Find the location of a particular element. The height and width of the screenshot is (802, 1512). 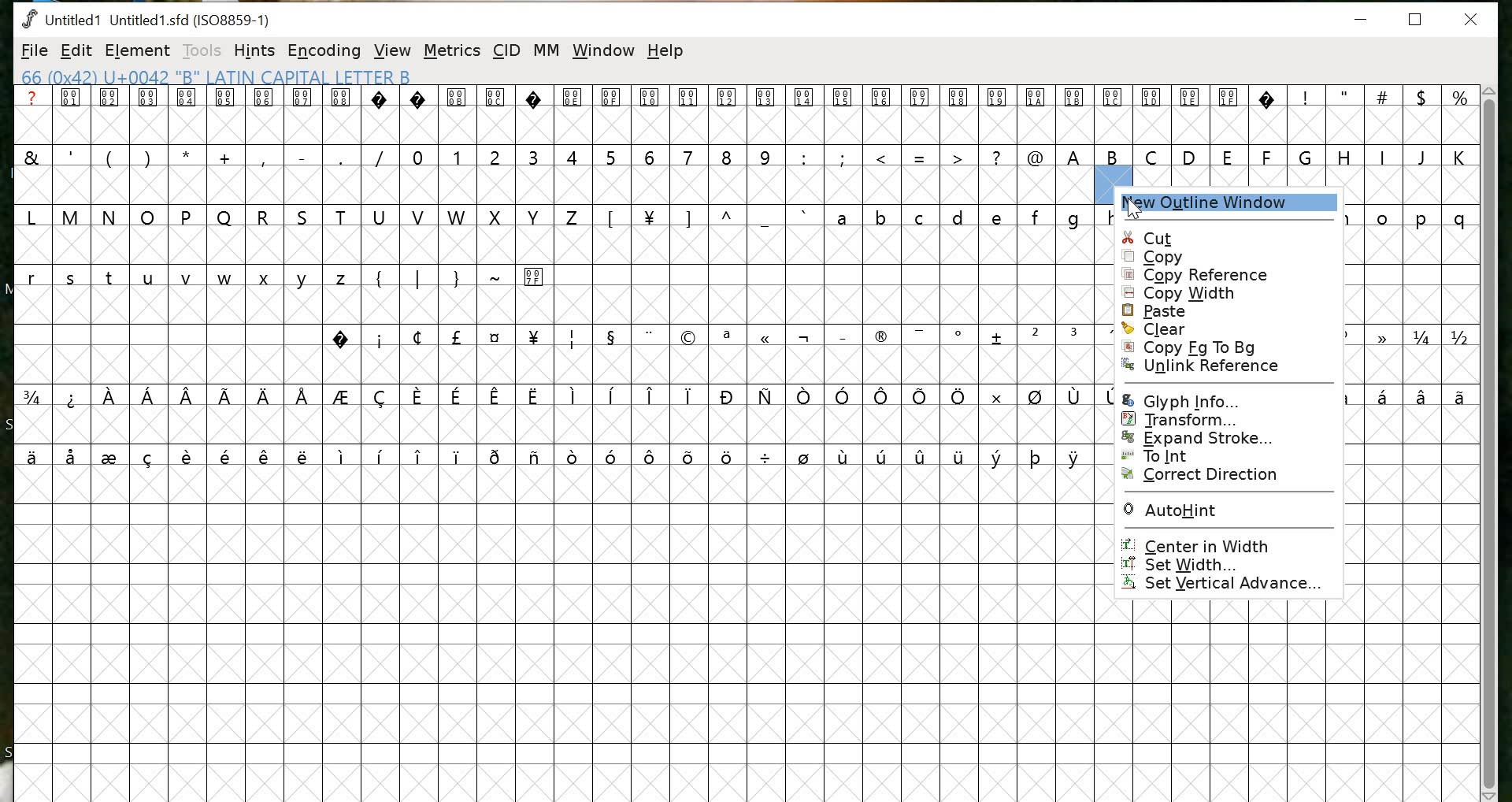

copy is located at coordinates (1231, 258).